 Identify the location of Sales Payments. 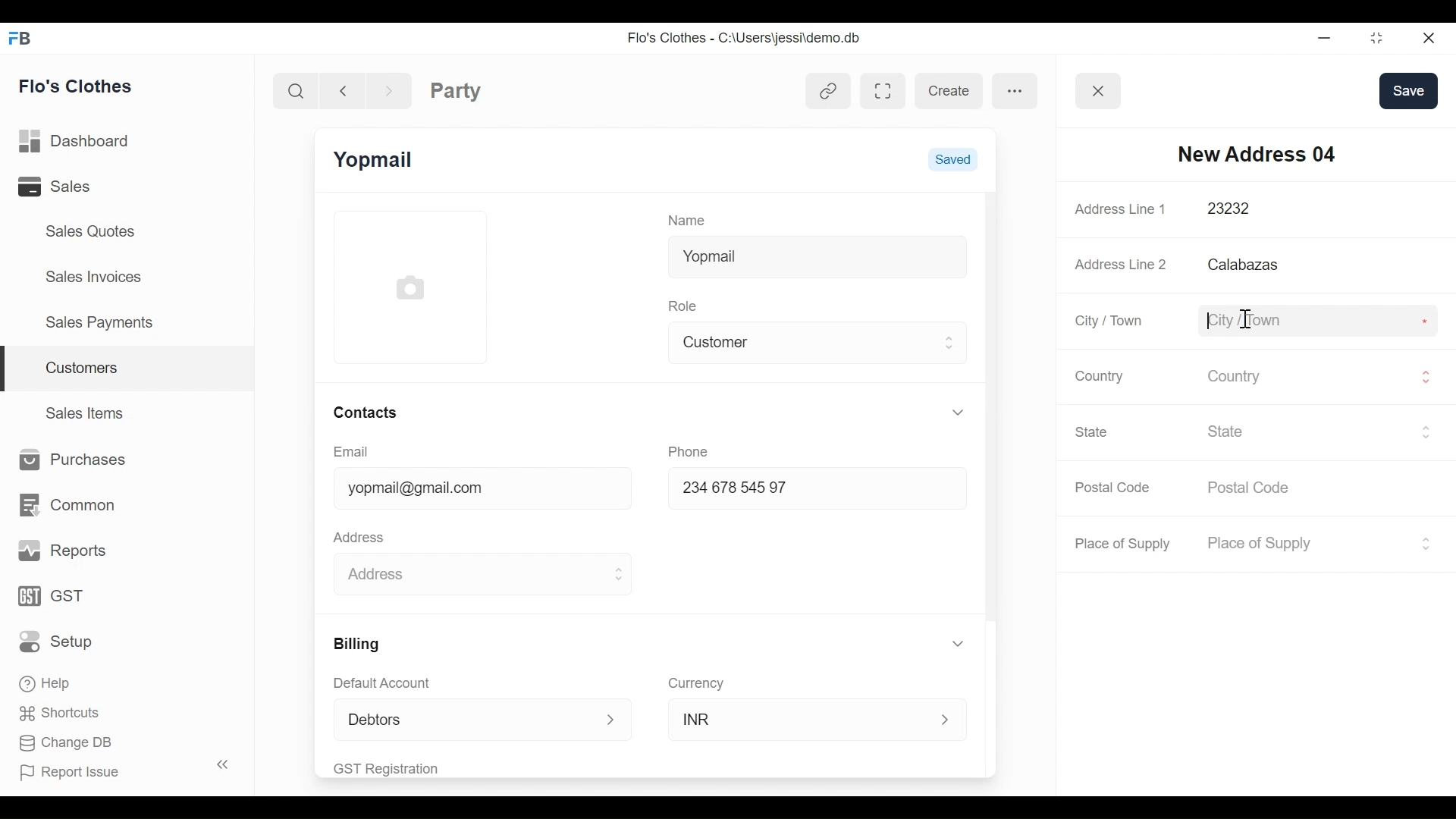
(98, 322).